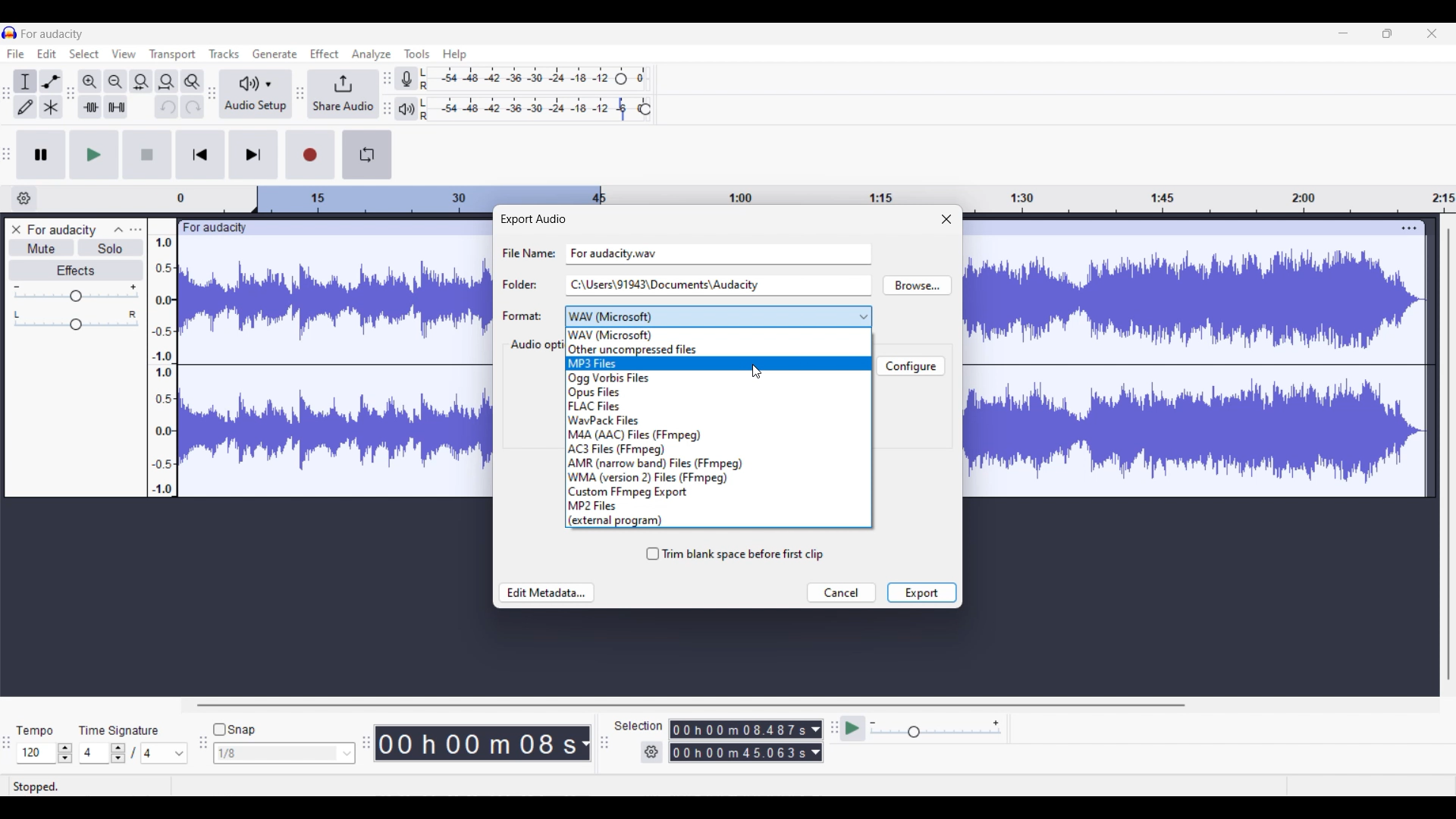 This screenshot has width=1456, height=819. I want to click on WAV (Microsoft), so click(719, 335).